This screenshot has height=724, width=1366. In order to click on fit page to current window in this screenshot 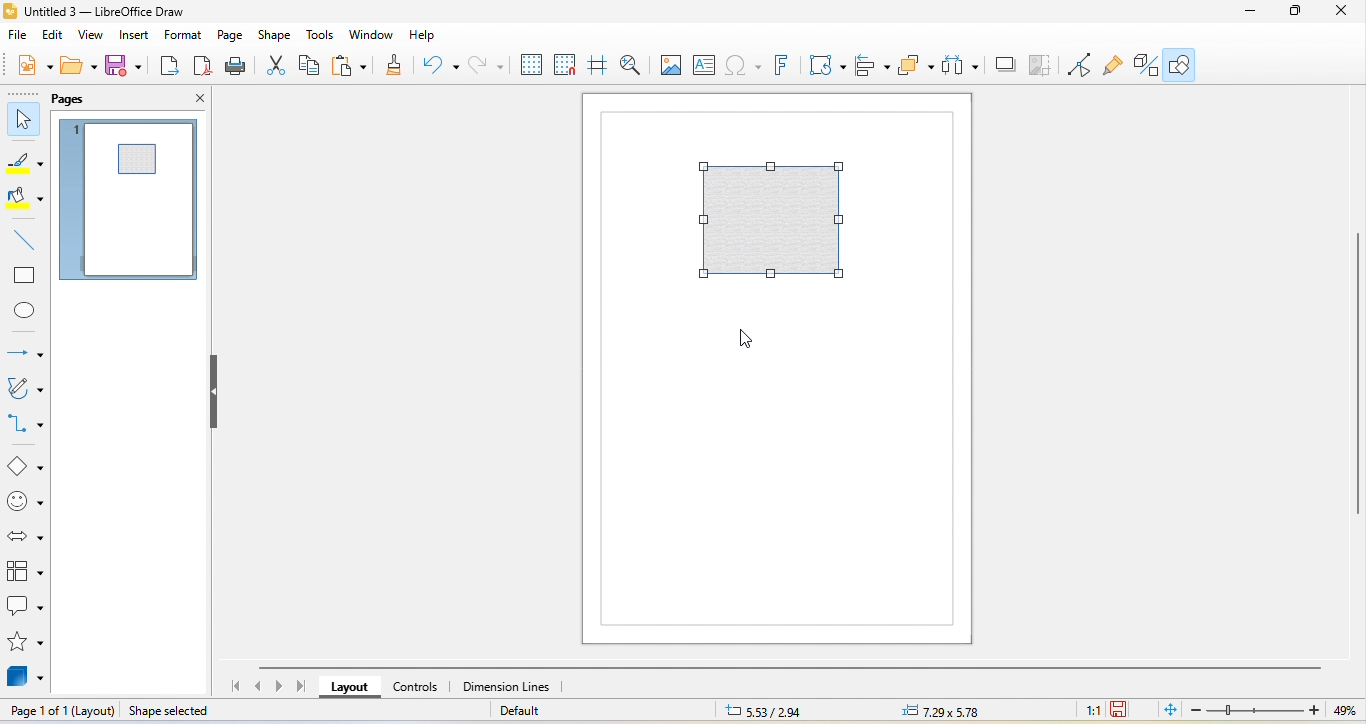, I will do `click(1167, 710)`.